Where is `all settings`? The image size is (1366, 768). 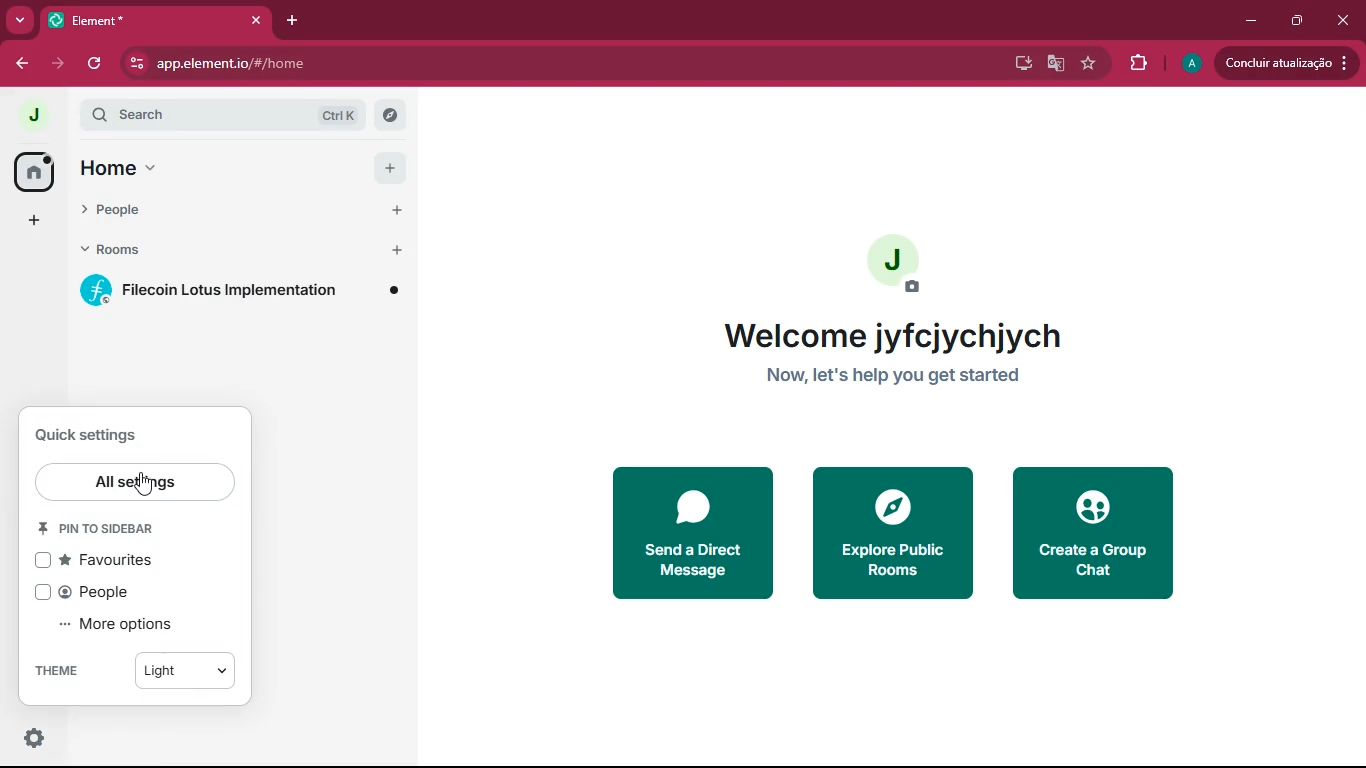 all settings is located at coordinates (135, 483).